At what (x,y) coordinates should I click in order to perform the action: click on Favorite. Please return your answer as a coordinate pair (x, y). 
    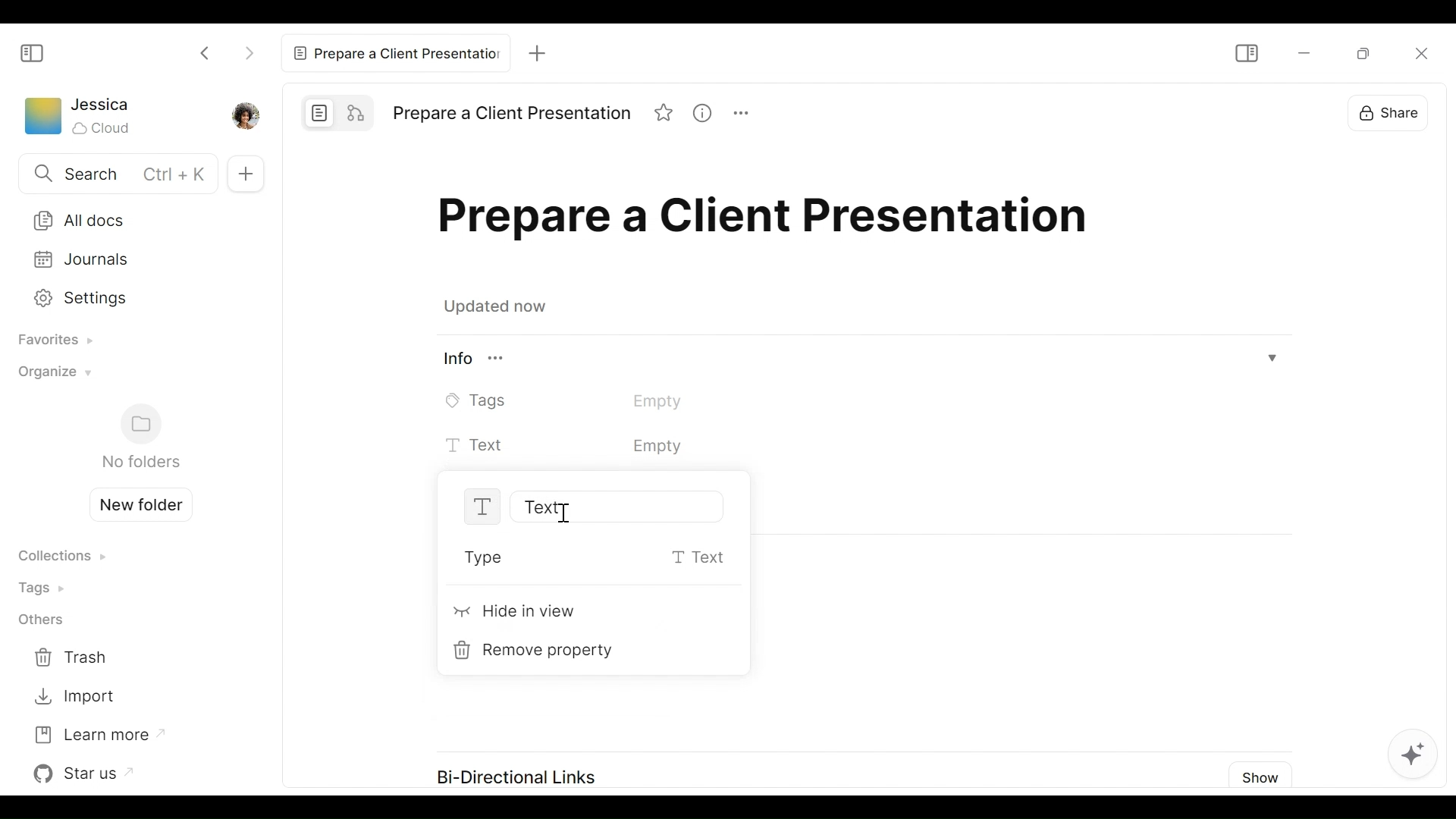
    Looking at the image, I should click on (665, 115).